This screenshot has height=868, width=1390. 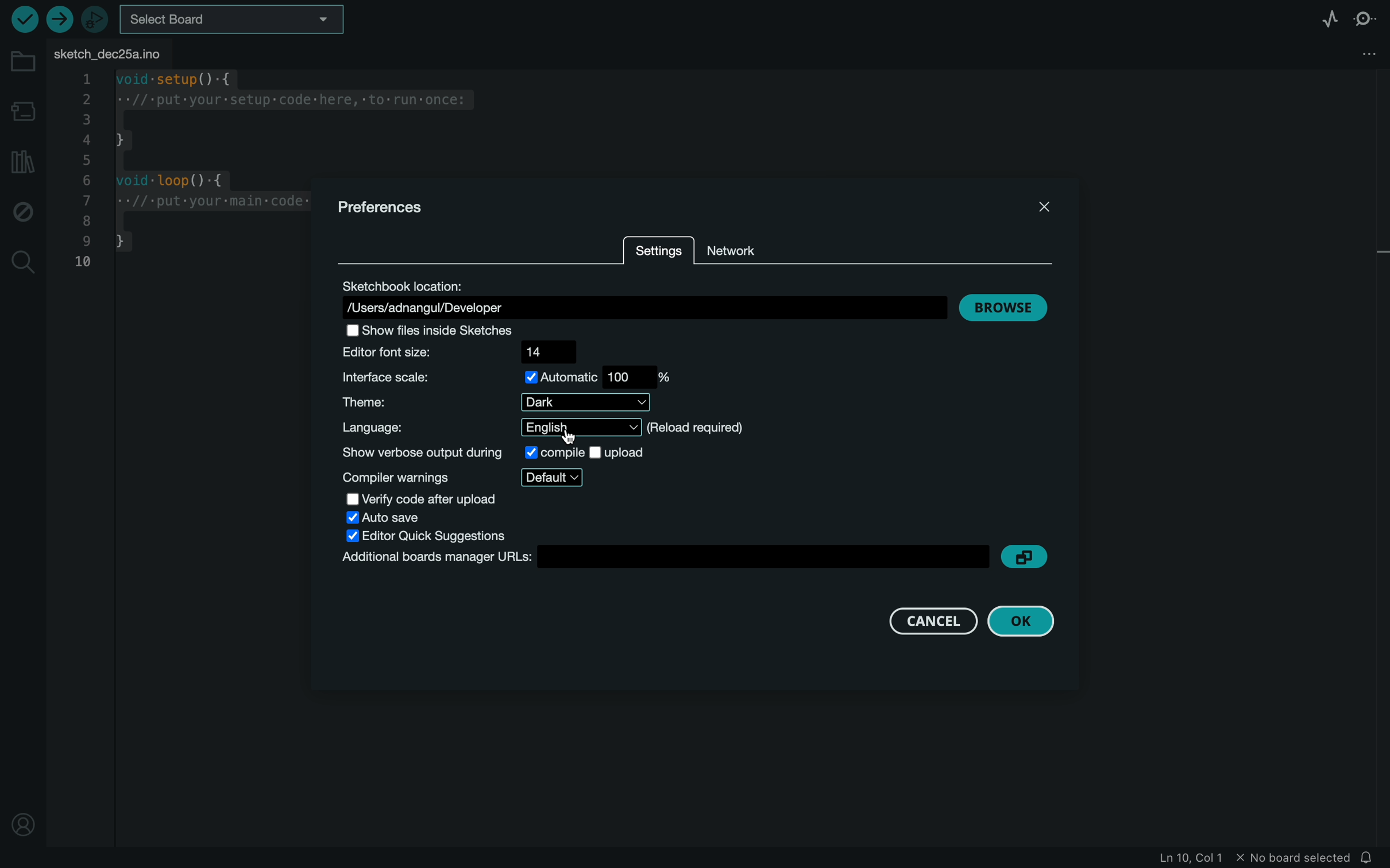 I want to click on copy, so click(x=1028, y=556).